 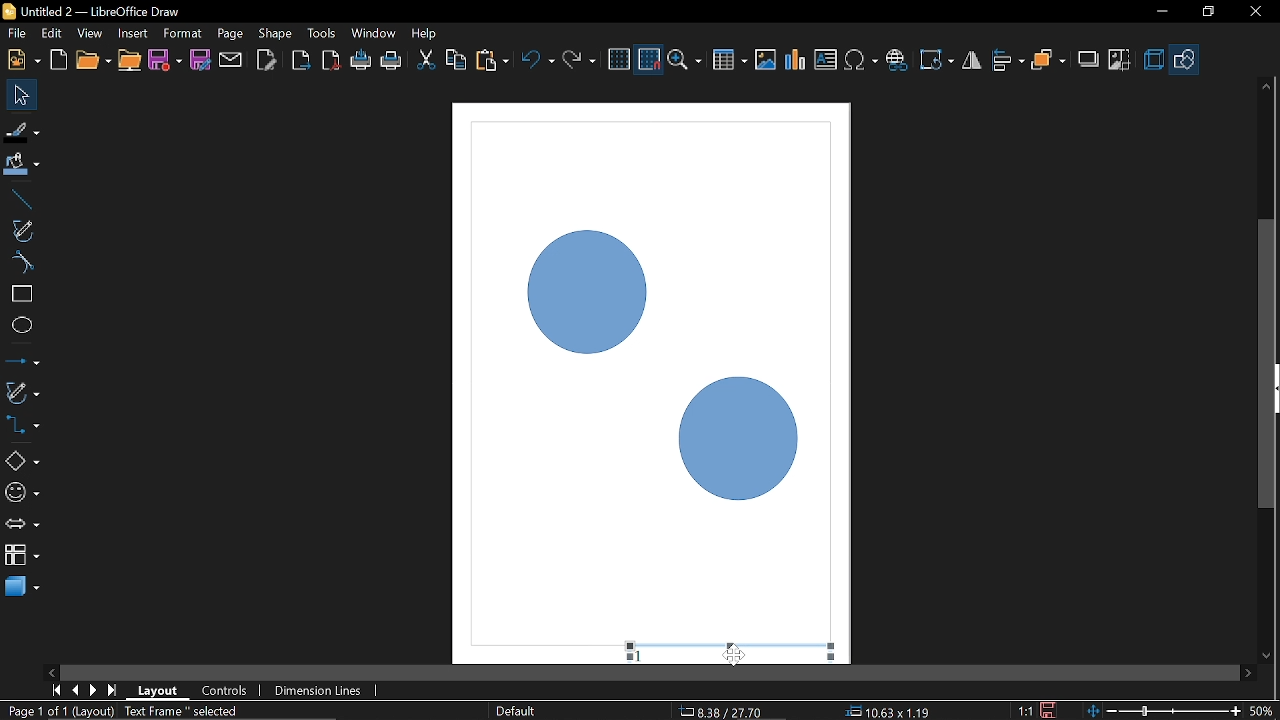 I want to click on Change zoom, so click(x=1166, y=709).